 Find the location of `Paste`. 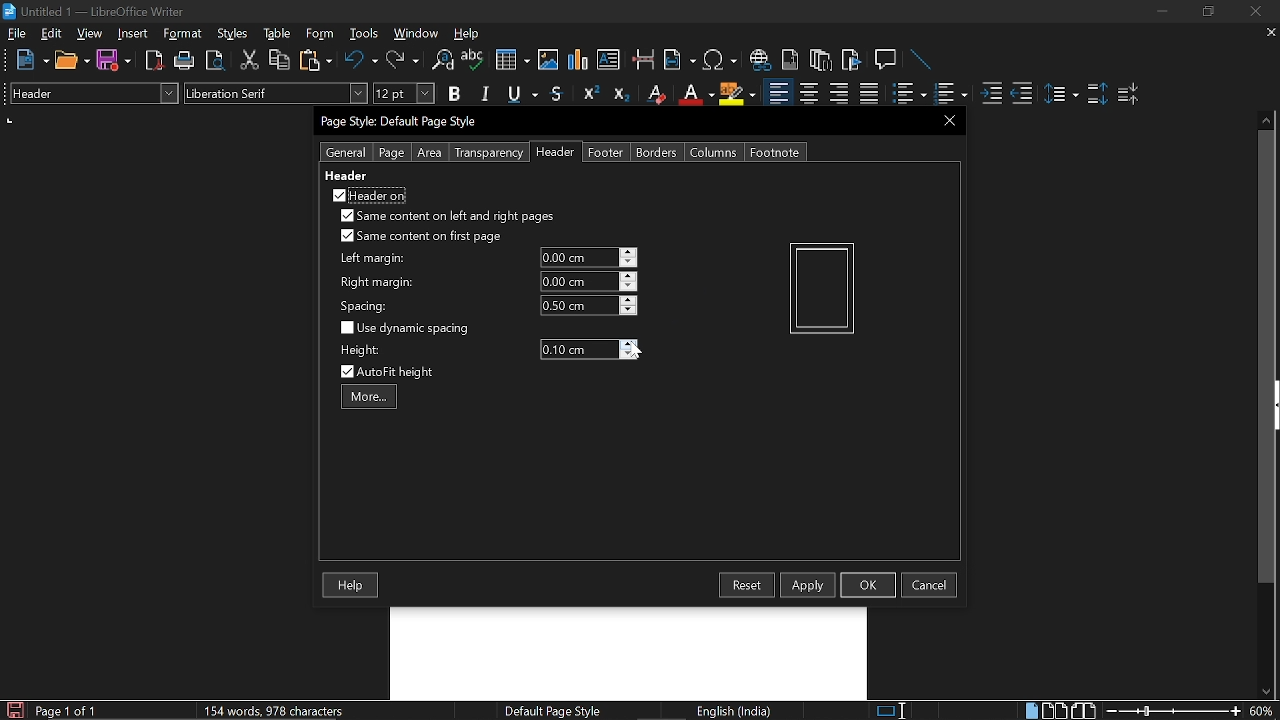

Paste is located at coordinates (314, 59).